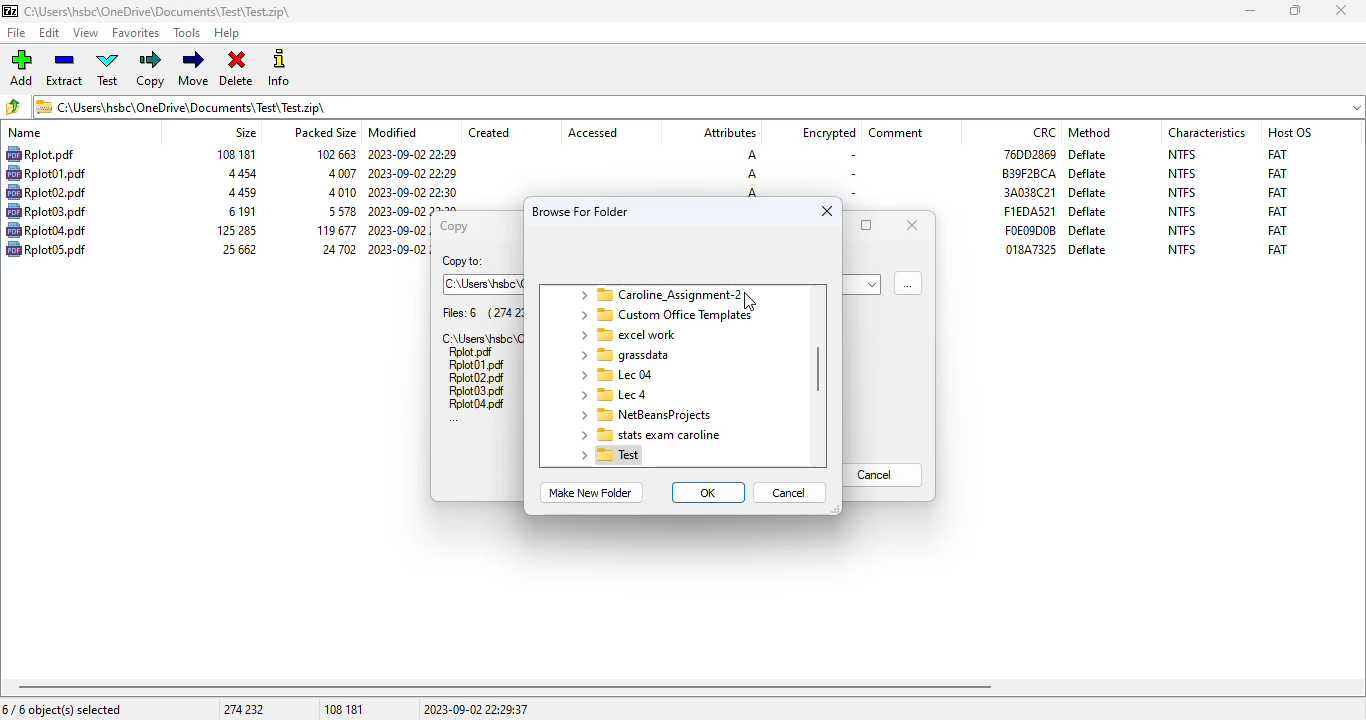  What do you see at coordinates (1290, 132) in the screenshot?
I see `host OS` at bounding box center [1290, 132].